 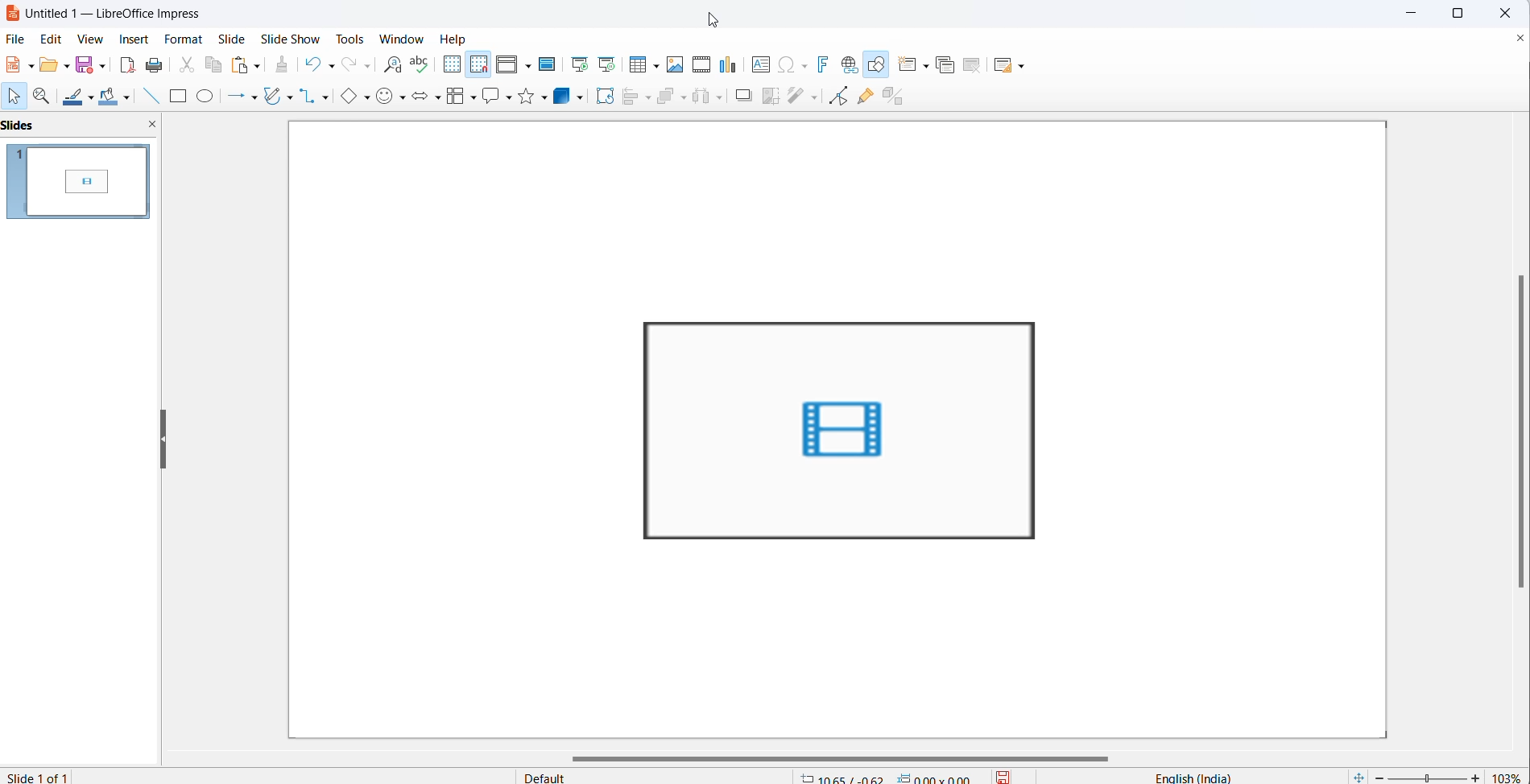 I want to click on display views, so click(x=507, y=65).